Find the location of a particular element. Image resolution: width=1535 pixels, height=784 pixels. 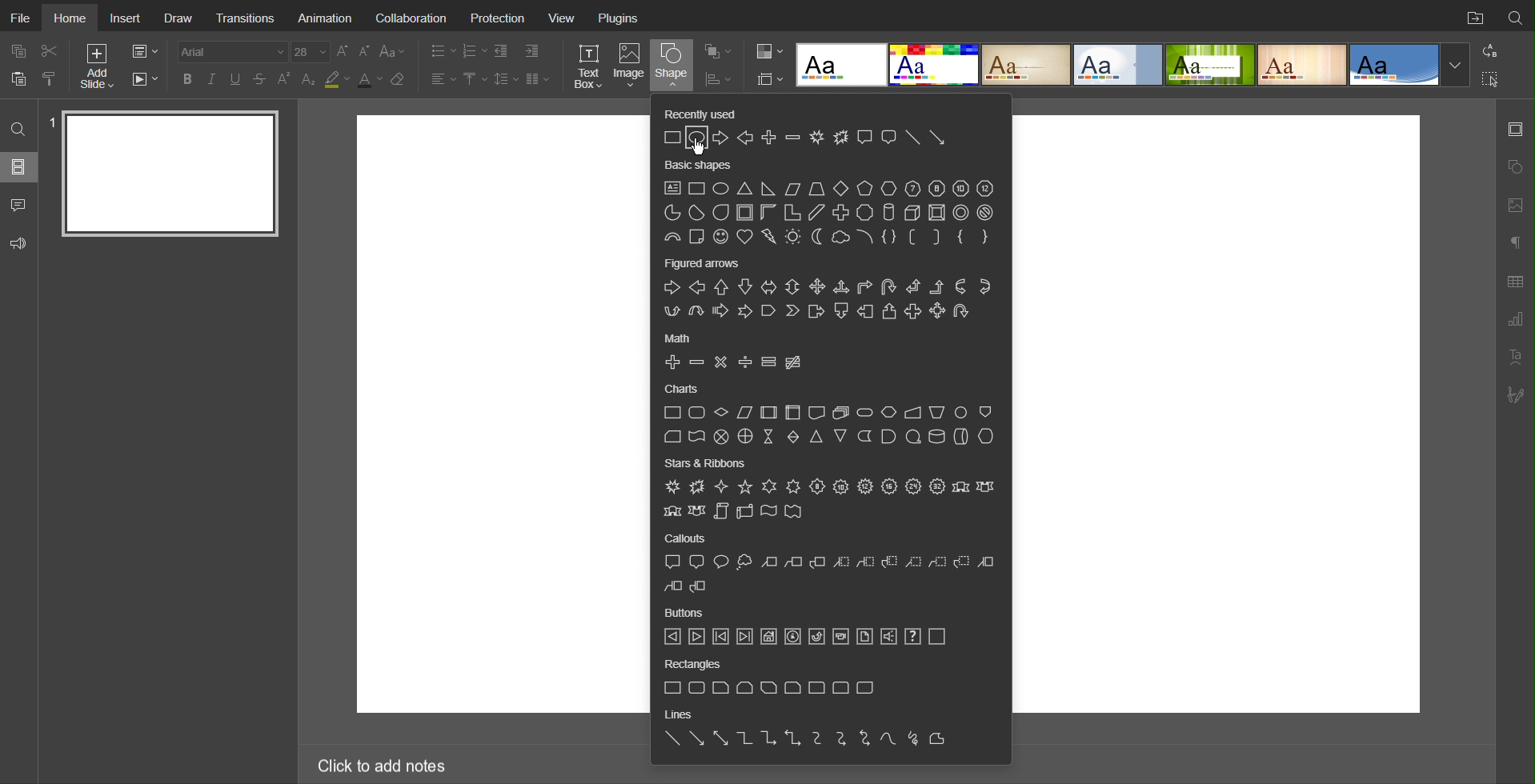

Colors is located at coordinates (767, 50).